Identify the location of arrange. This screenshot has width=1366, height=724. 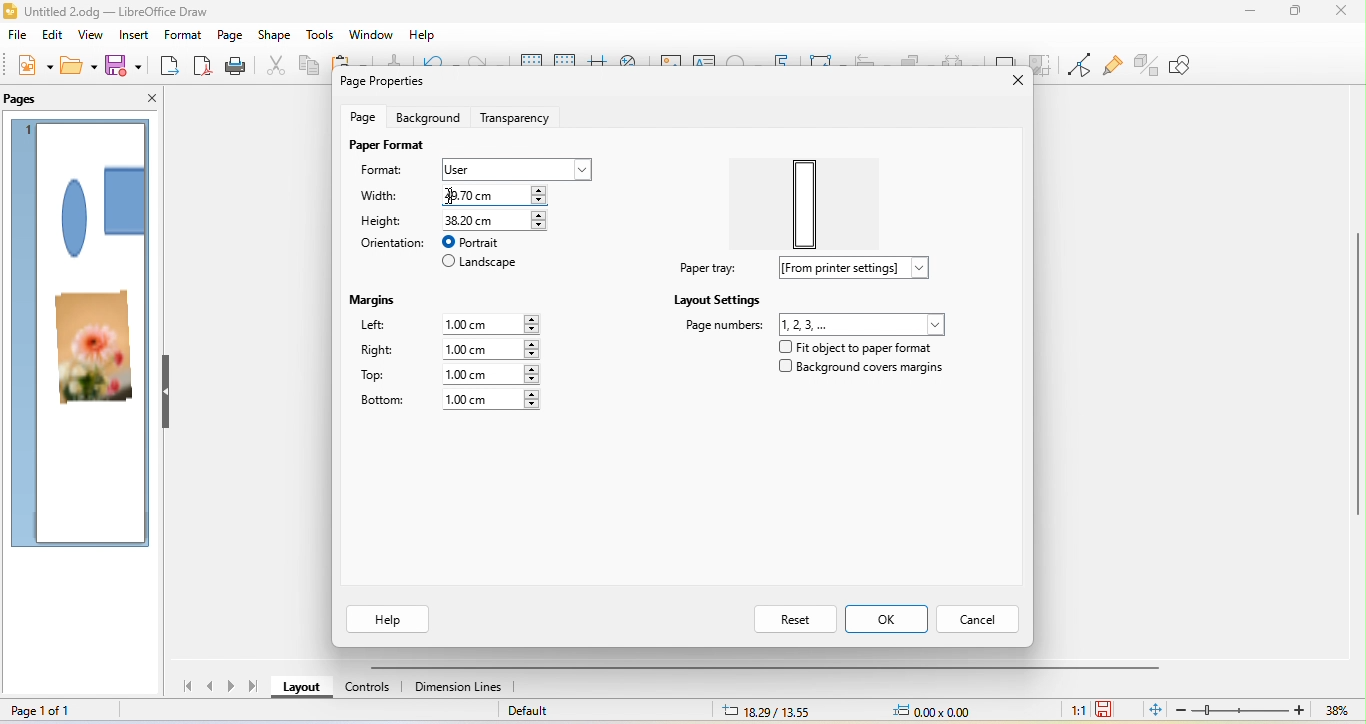
(921, 57).